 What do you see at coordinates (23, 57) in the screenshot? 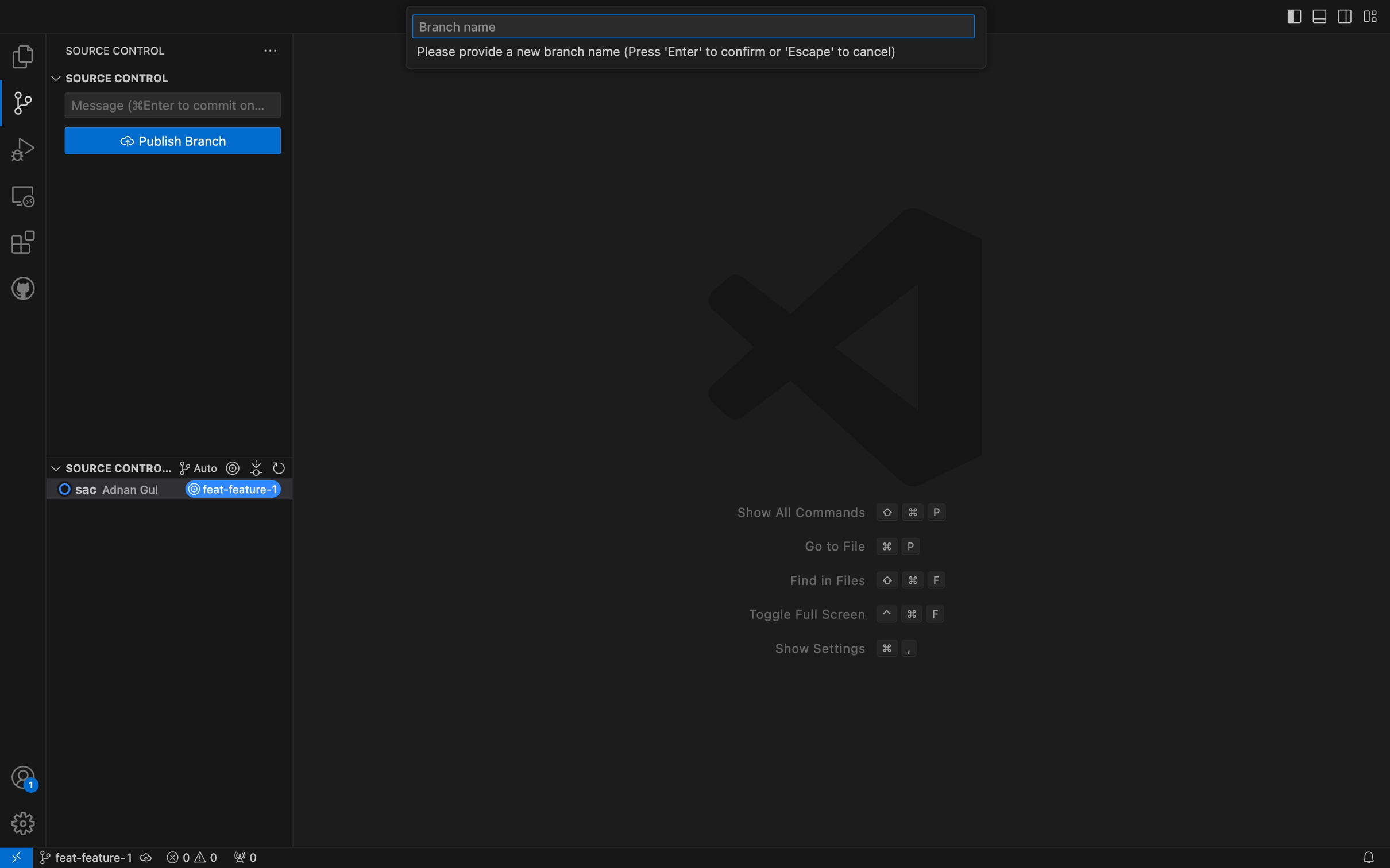
I see `file` at bounding box center [23, 57].